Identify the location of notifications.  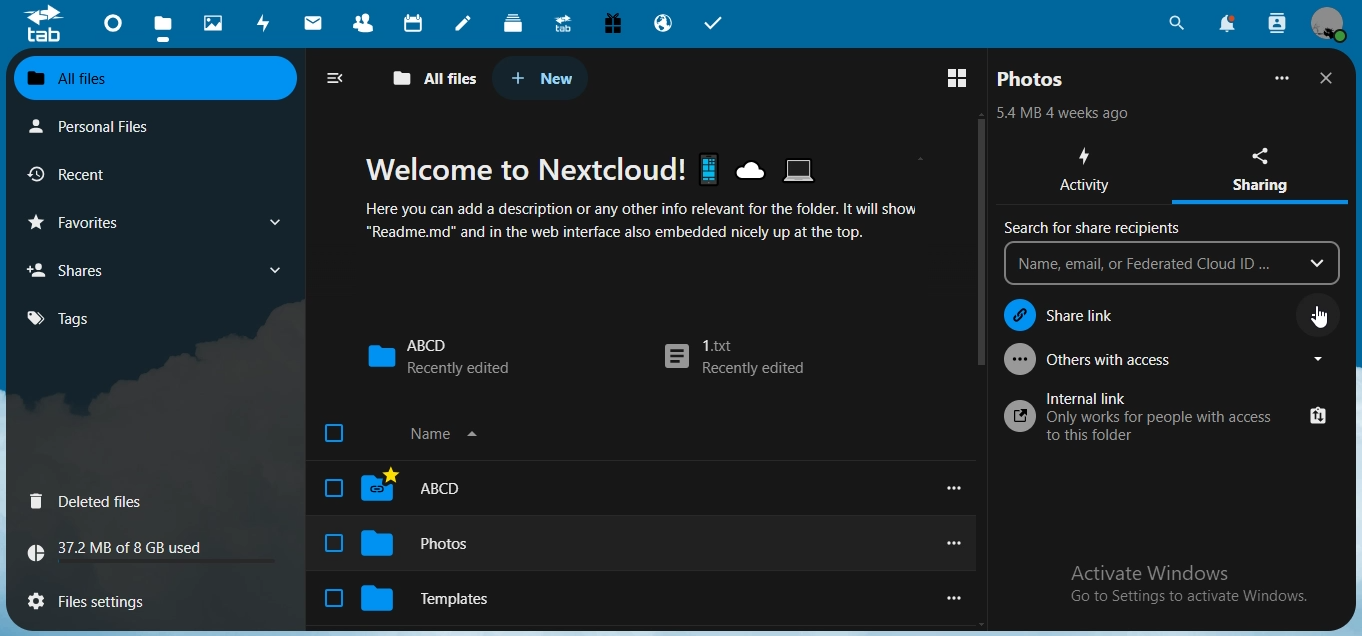
(1225, 23).